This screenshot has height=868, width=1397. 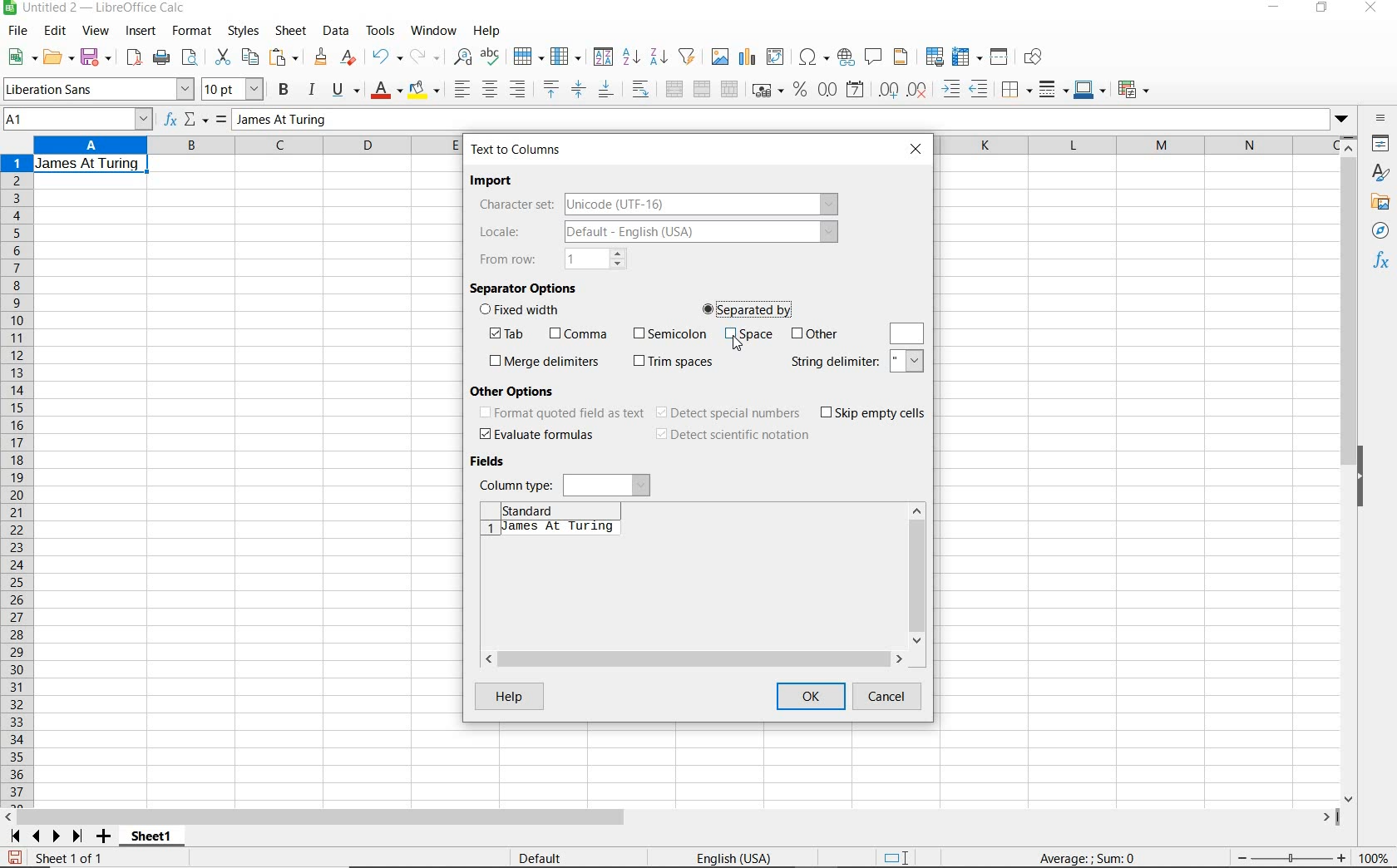 I want to click on scrollbar, so click(x=917, y=575).